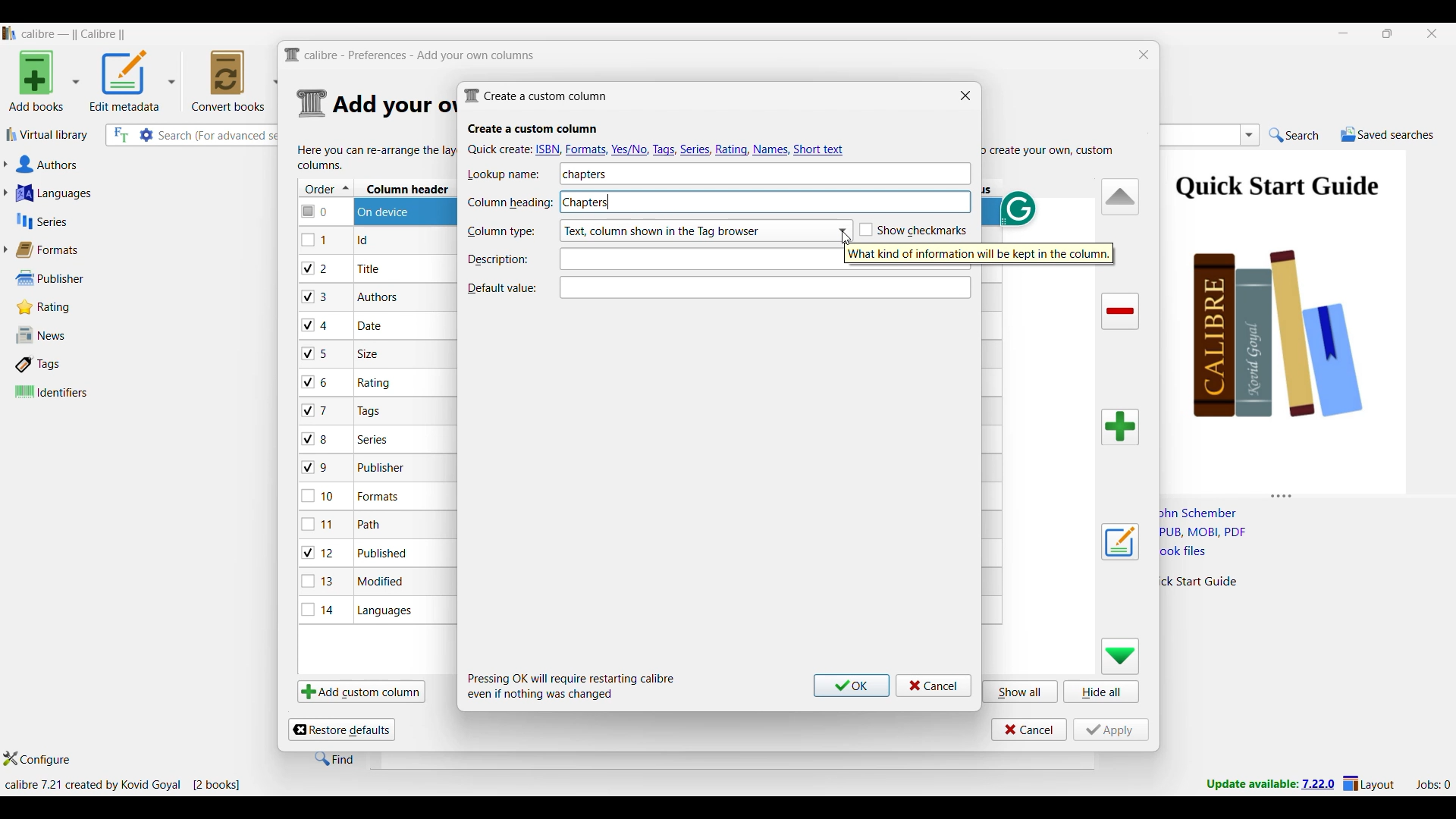 Image resolution: width=1456 pixels, height=819 pixels. What do you see at coordinates (318, 609) in the screenshot?
I see `checkbox - 14` at bounding box center [318, 609].